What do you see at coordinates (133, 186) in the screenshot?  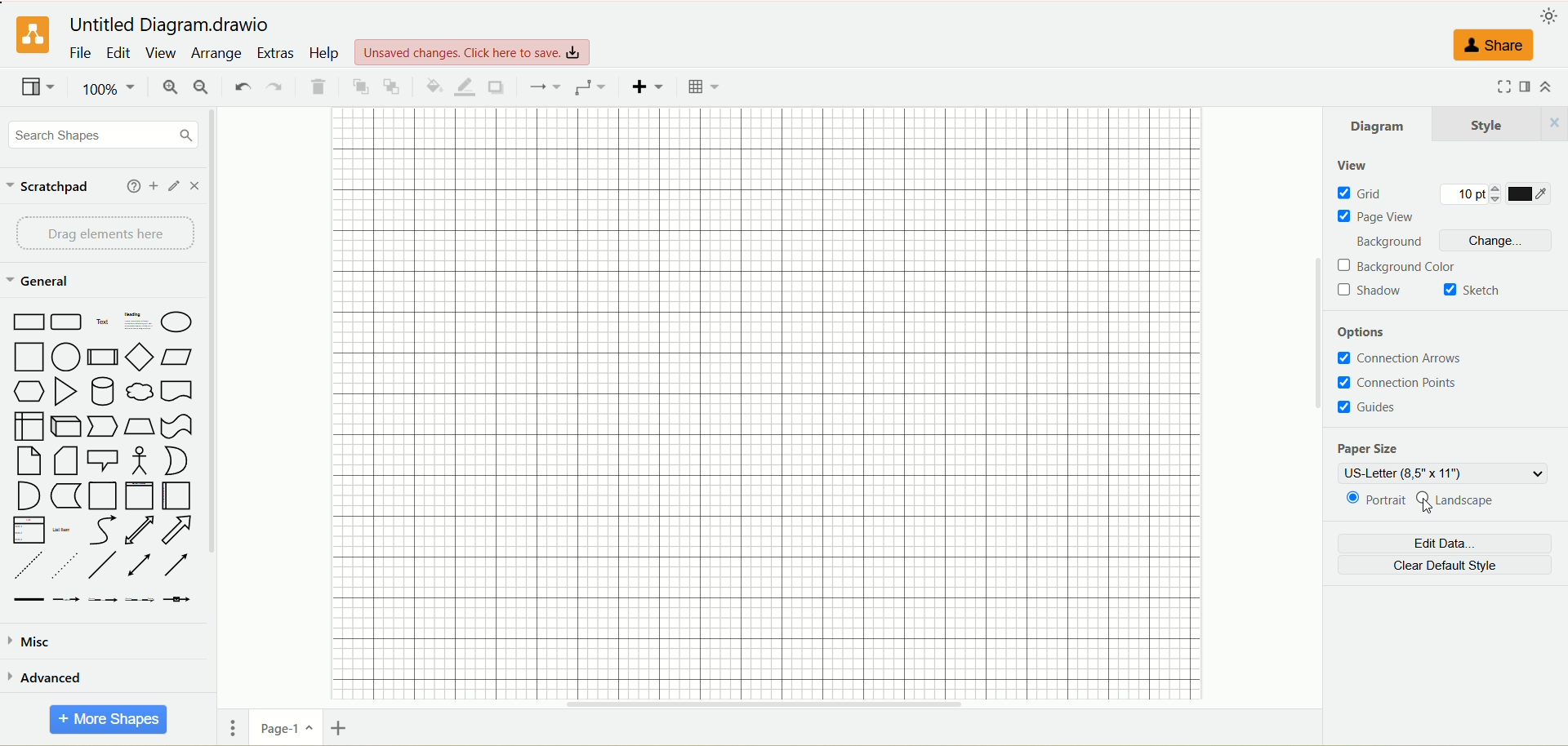 I see `help` at bounding box center [133, 186].